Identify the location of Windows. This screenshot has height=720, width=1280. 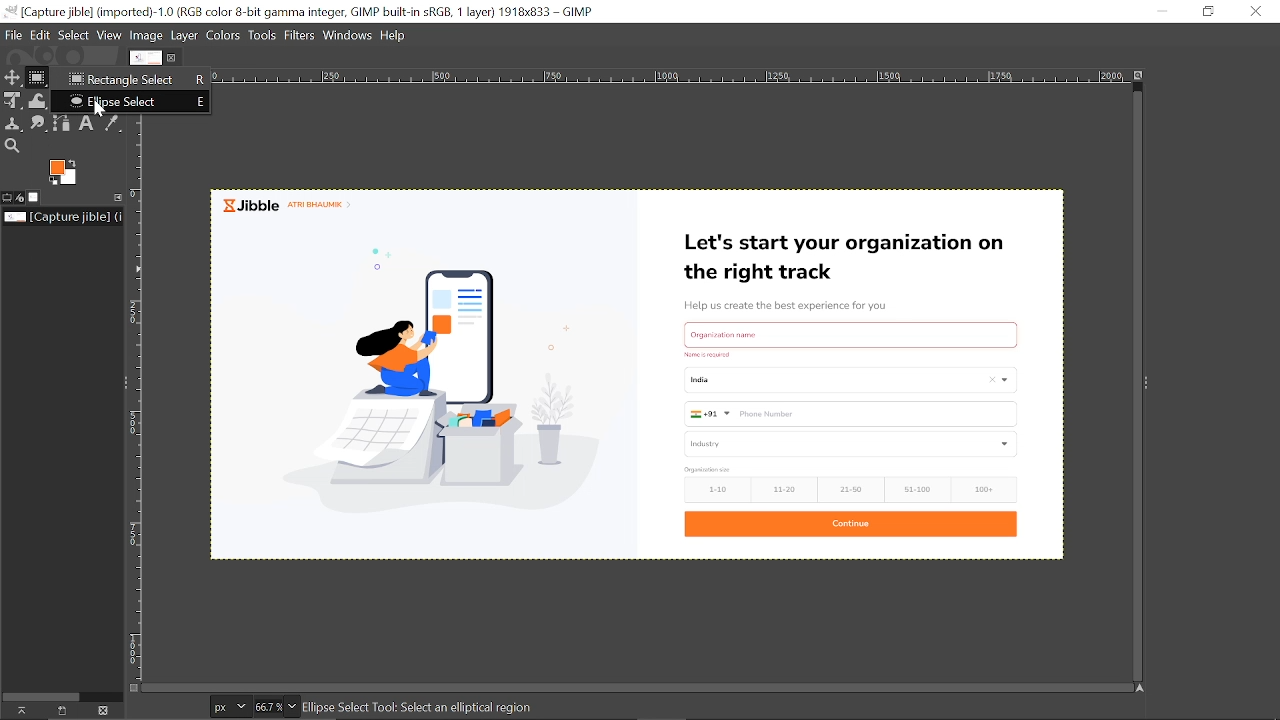
(349, 35).